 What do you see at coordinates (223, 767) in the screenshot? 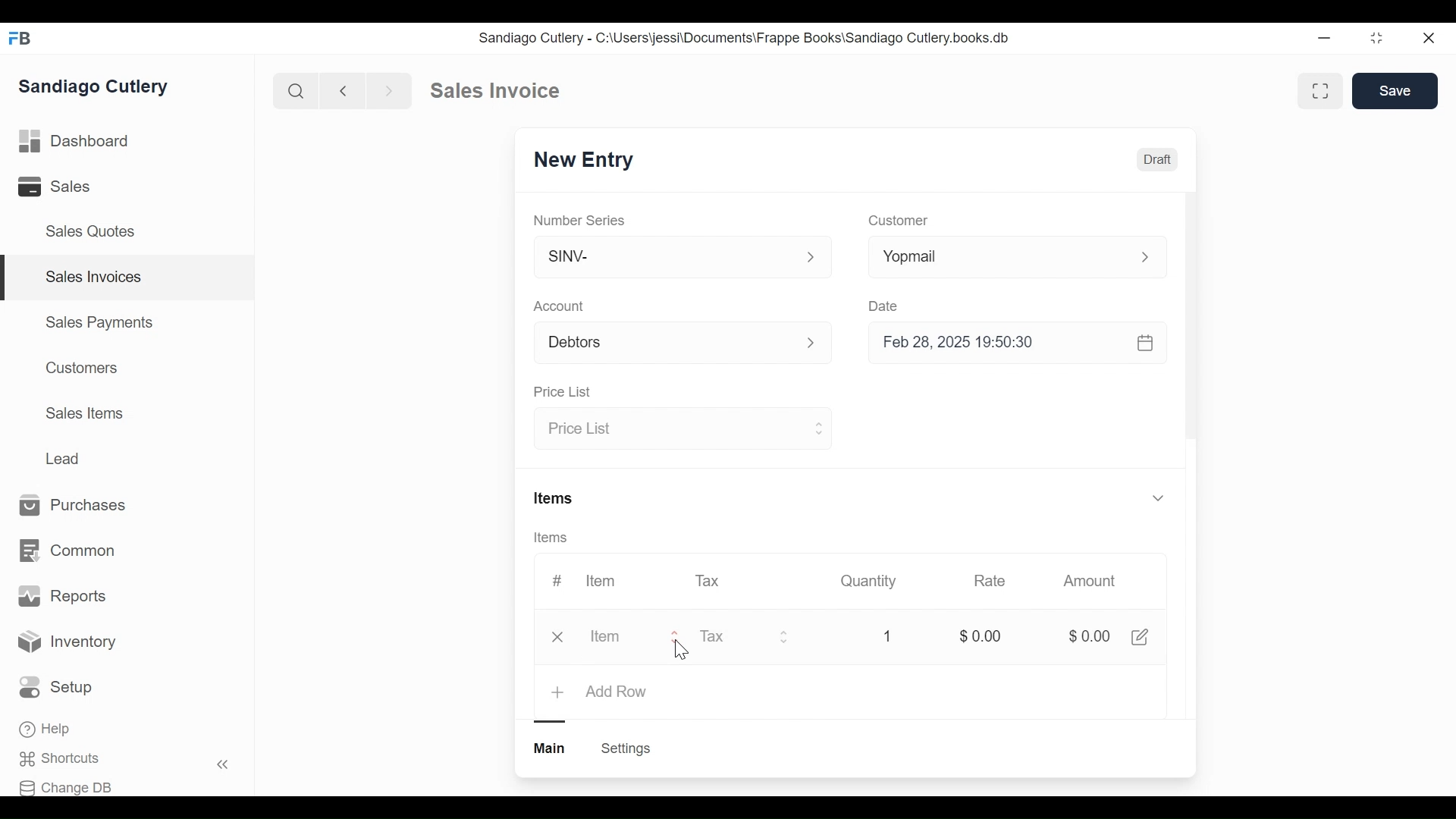
I see `«` at bounding box center [223, 767].